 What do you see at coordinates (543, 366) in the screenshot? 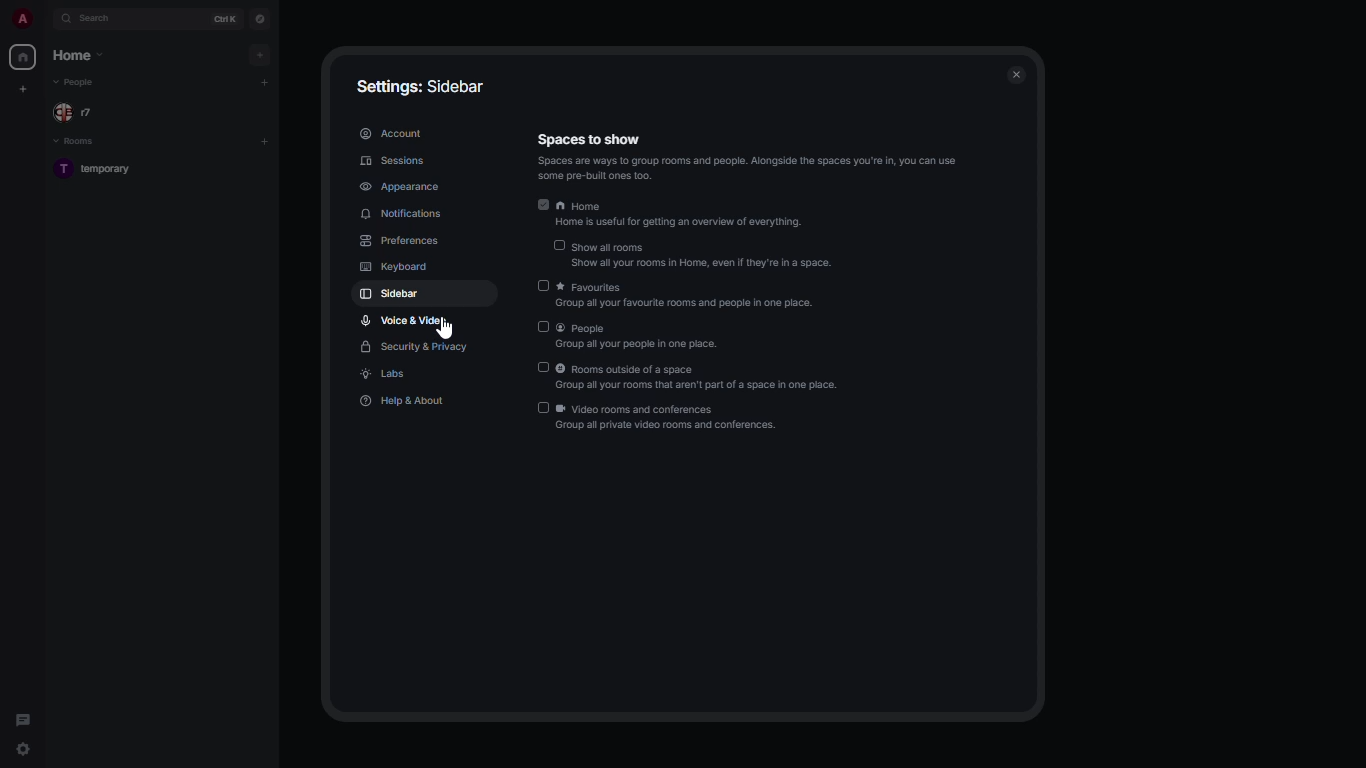
I see `disabled` at bounding box center [543, 366].